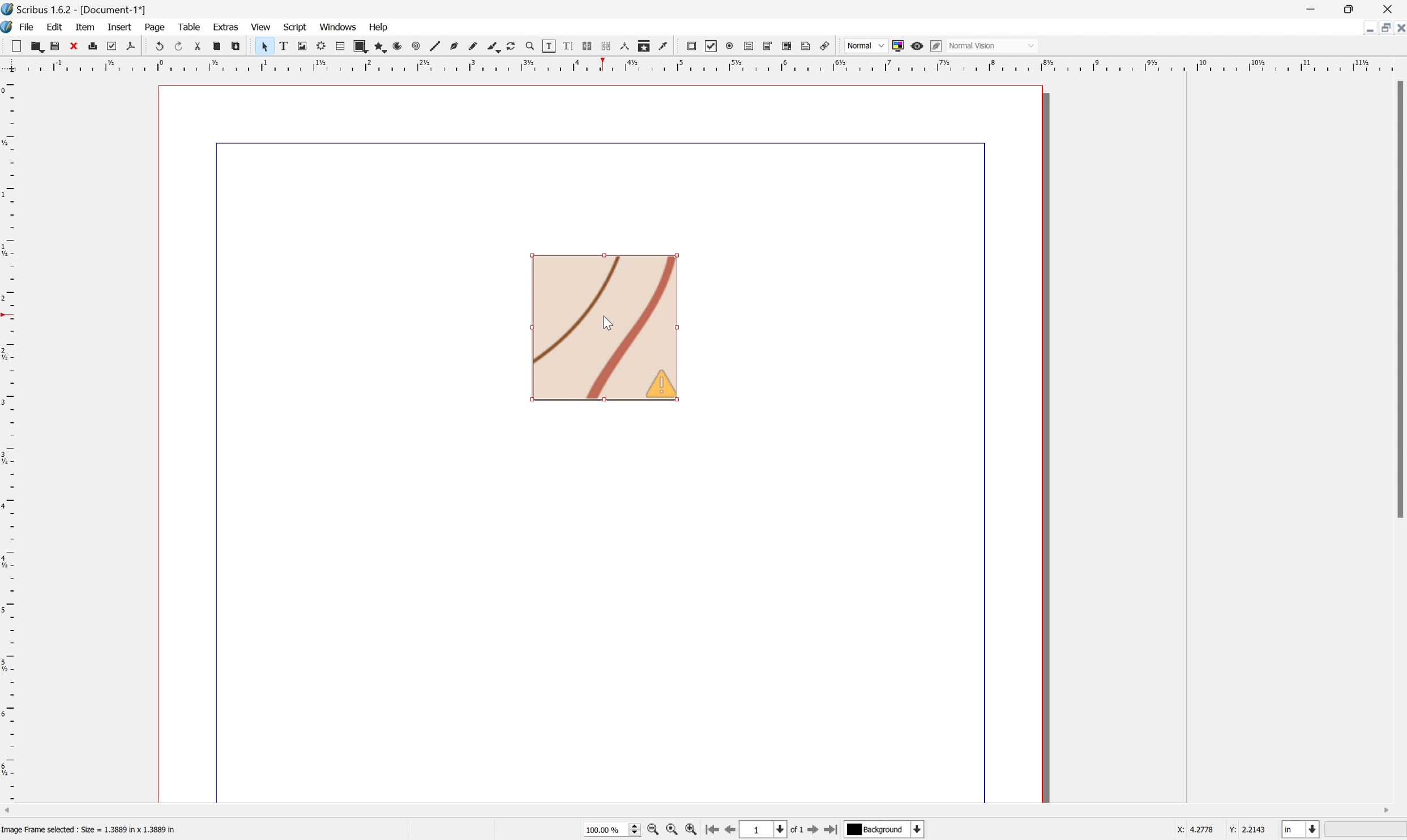 The width and height of the screenshot is (1407, 840). Describe the element at coordinates (322, 46) in the screenshot. I see `Render frame` at that location.